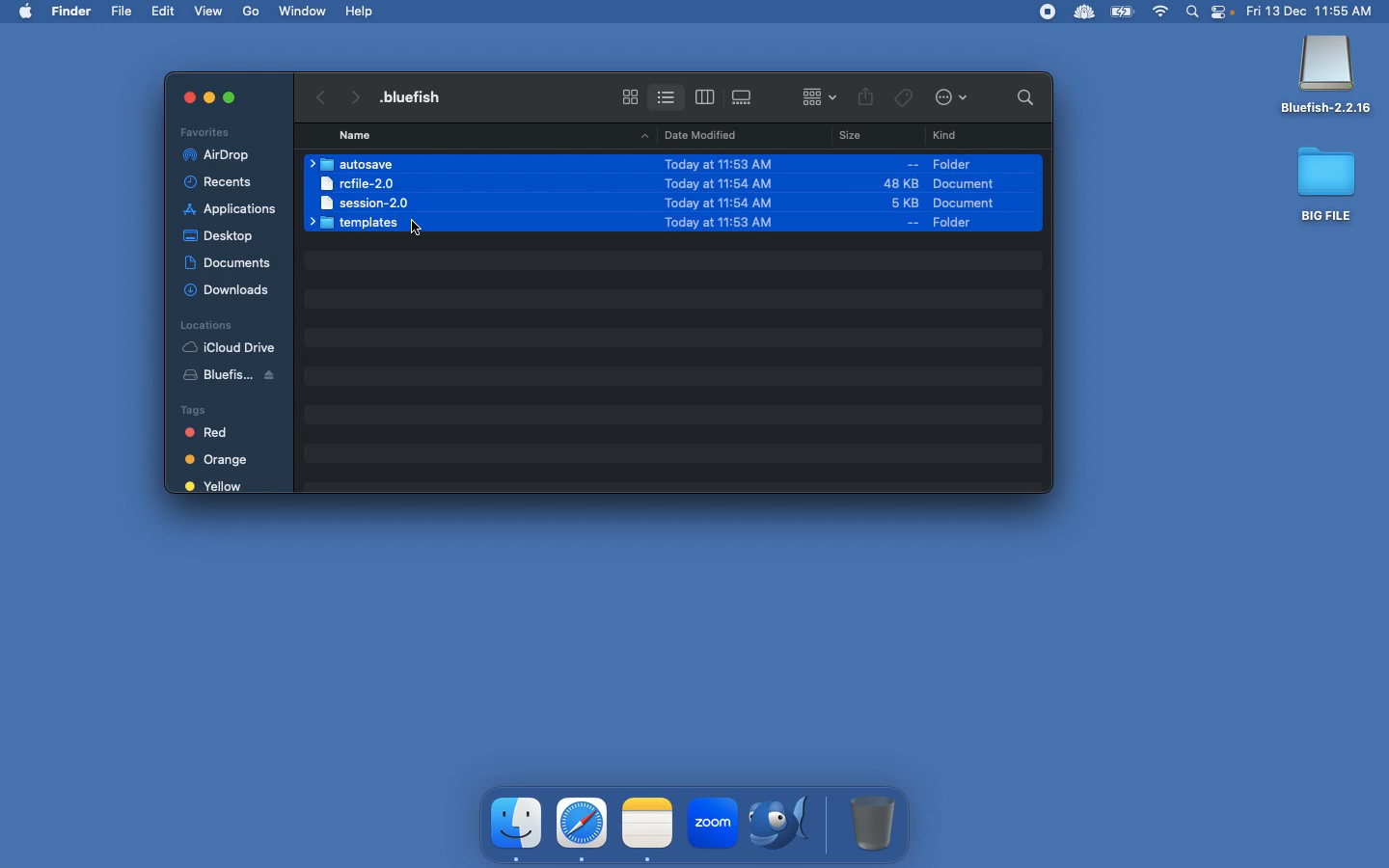 The width and height of the screenshot is (1389, 868). I want to click on Finder , so click(72, 12).